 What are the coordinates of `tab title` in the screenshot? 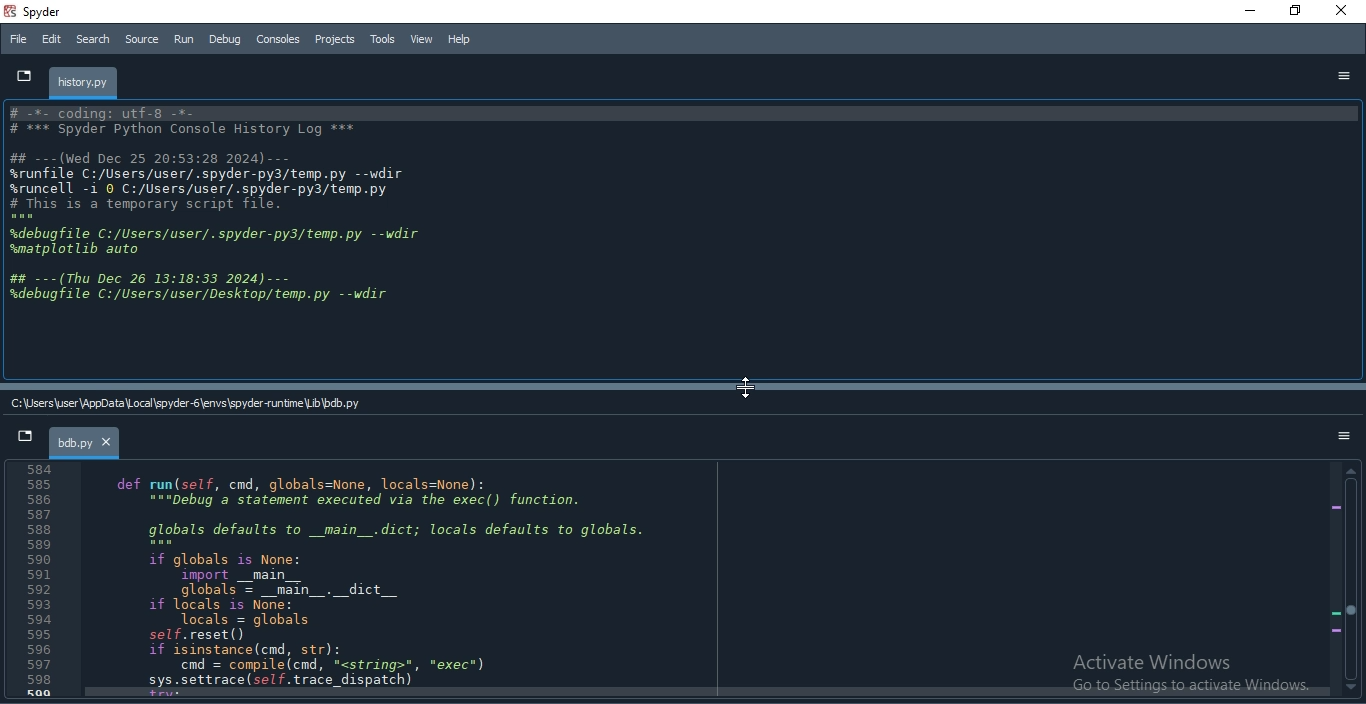 It's located at (86, 442).